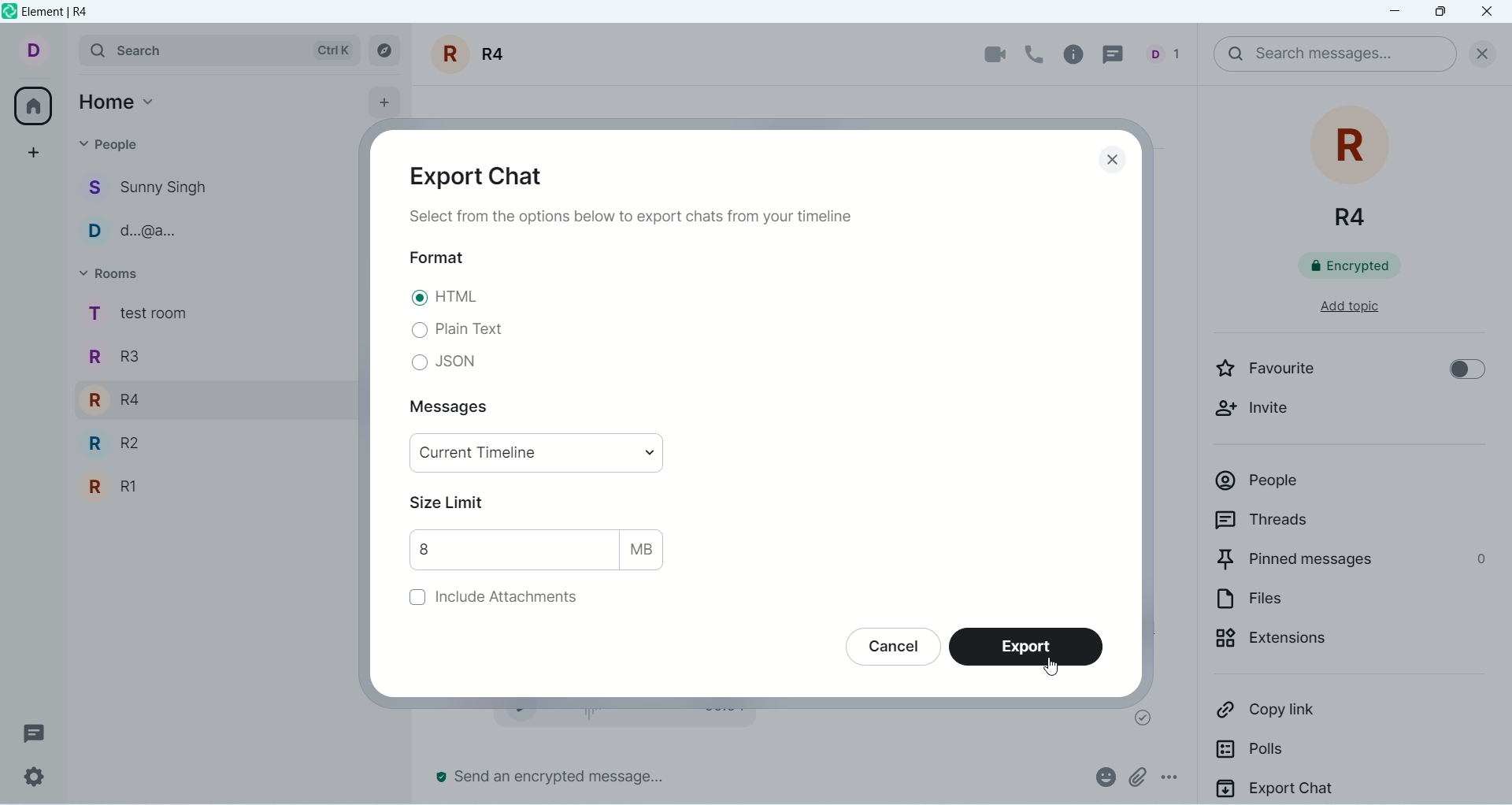 This screenshot has height=805, width=1512. What do you see at coordinates (1047, 666) in the screenshot?
I see `pointer cursor` at bounding box center [1047, 666].